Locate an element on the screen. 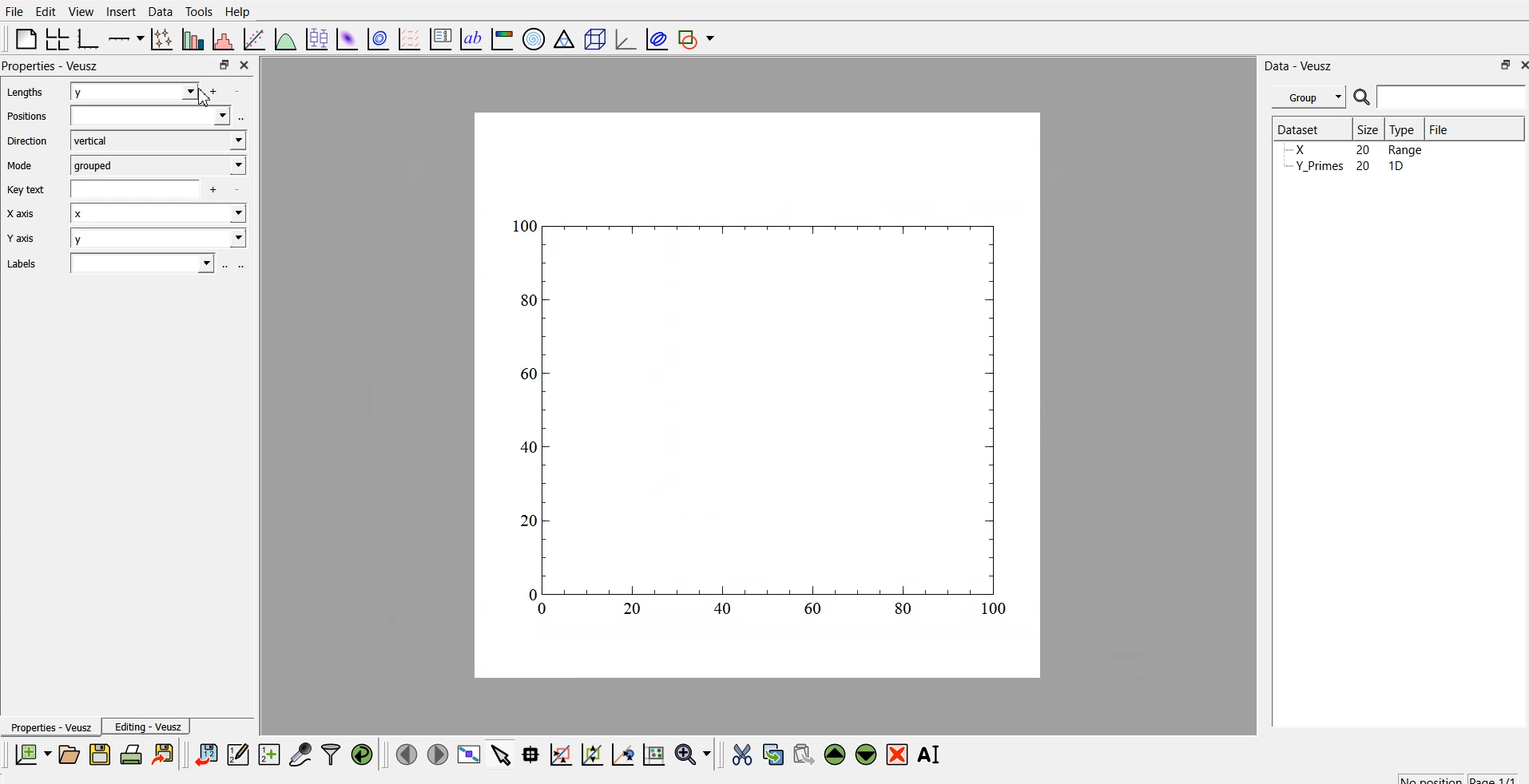 This screenshot has width=1529, height=784. polar graph is located at coordinates (536, 40).